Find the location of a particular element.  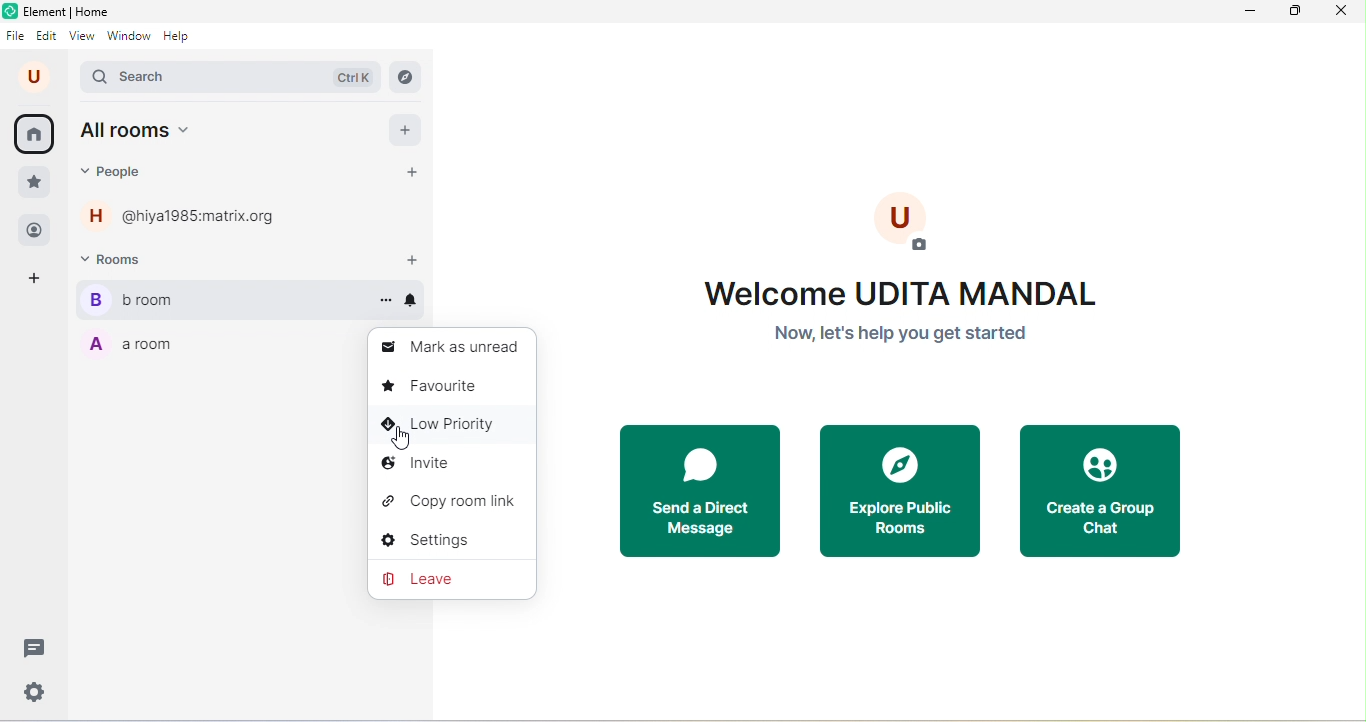

all rooms is located at coordinates (135, 129).